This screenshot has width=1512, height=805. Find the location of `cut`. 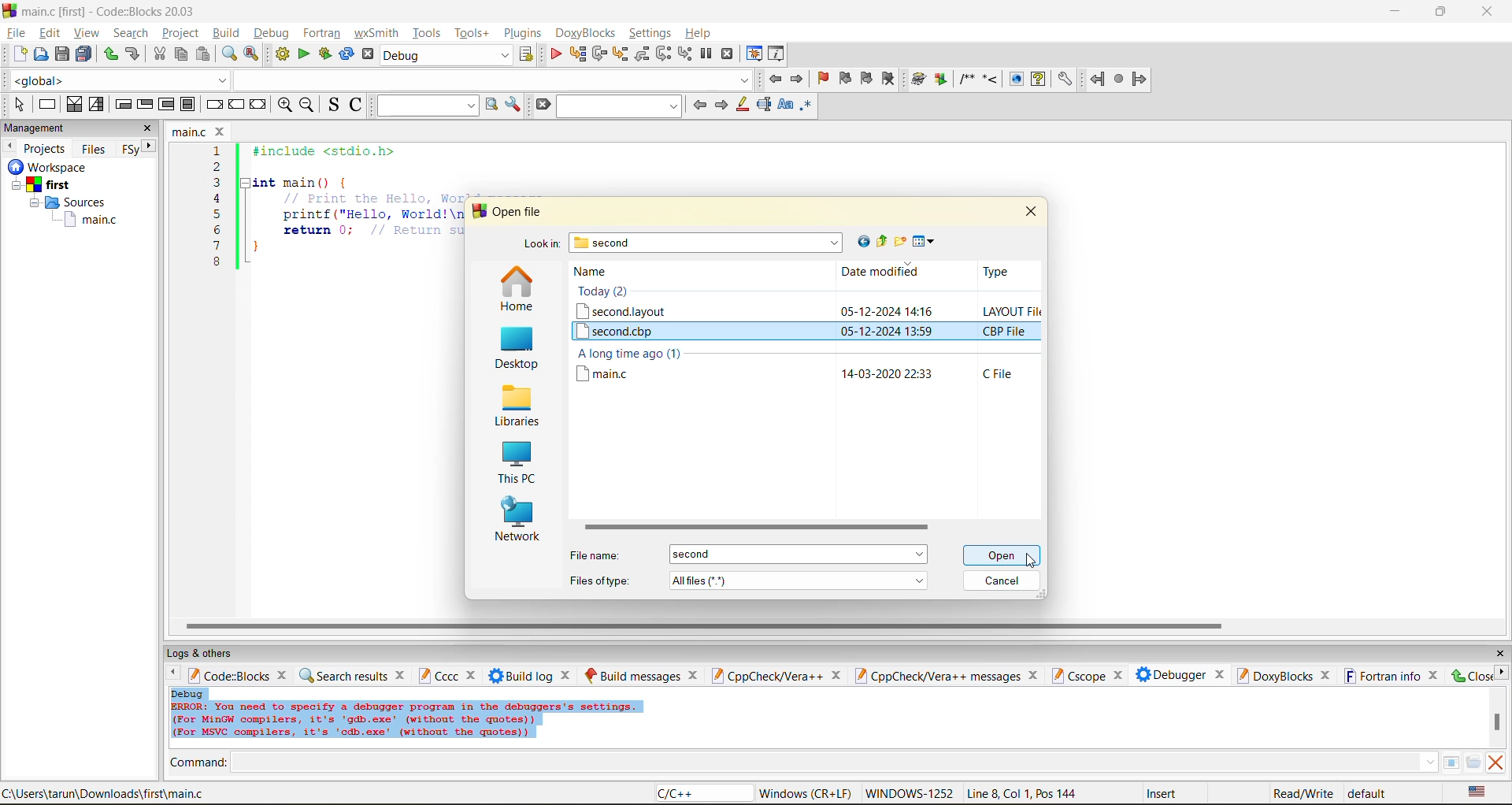

cut is located at coordinates (159, 54).